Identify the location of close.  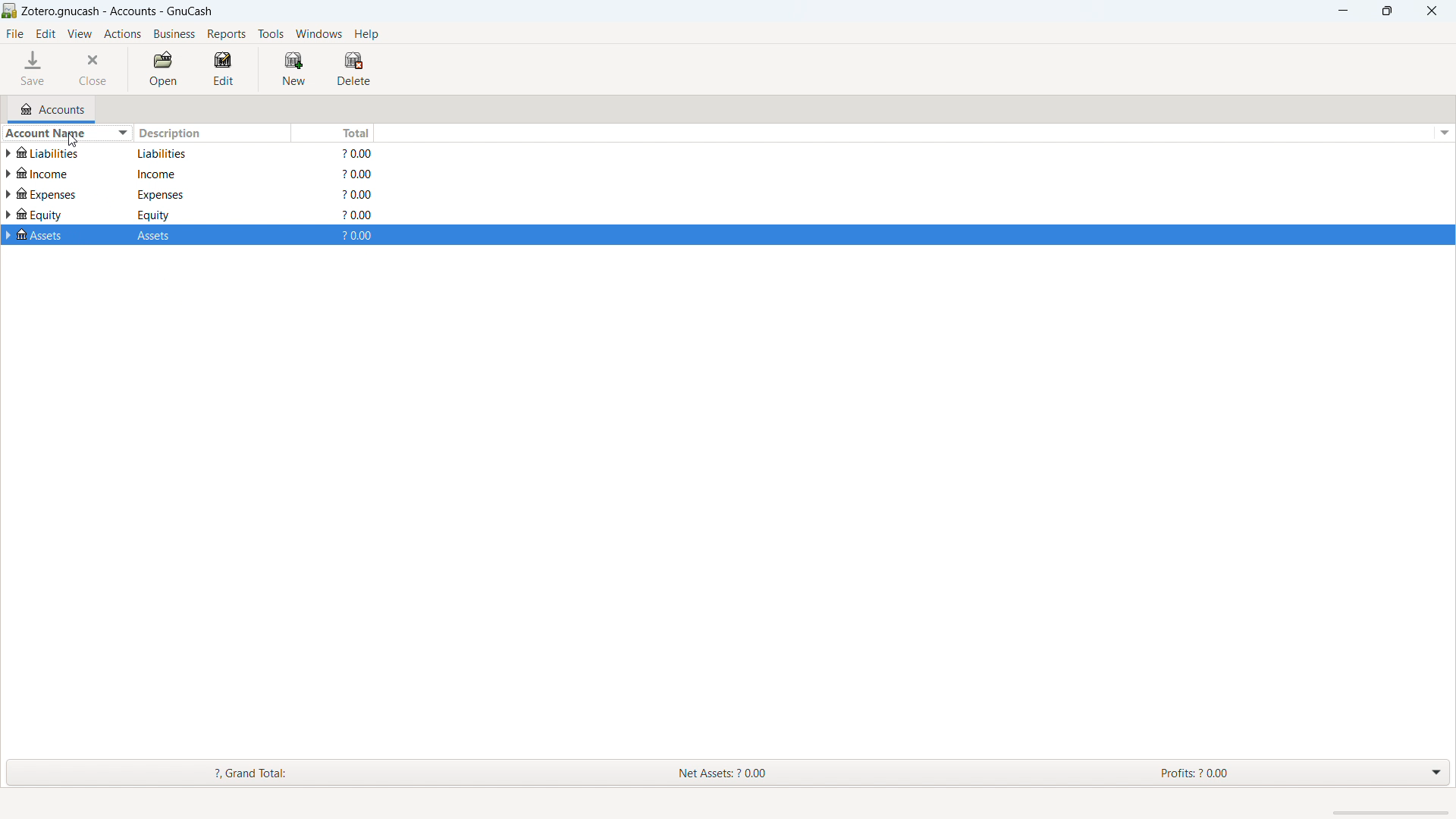
(96, 67).